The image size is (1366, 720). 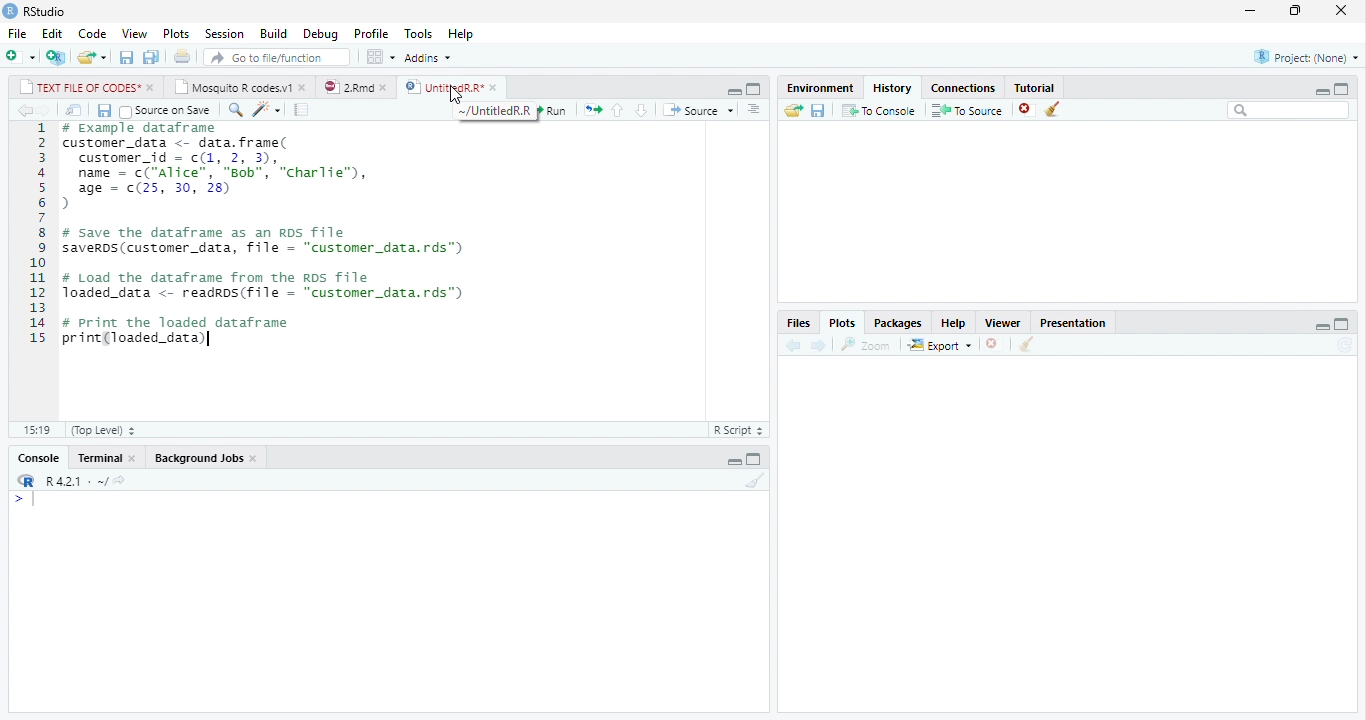 I want to click on R Script, so click(x=740, y=429).